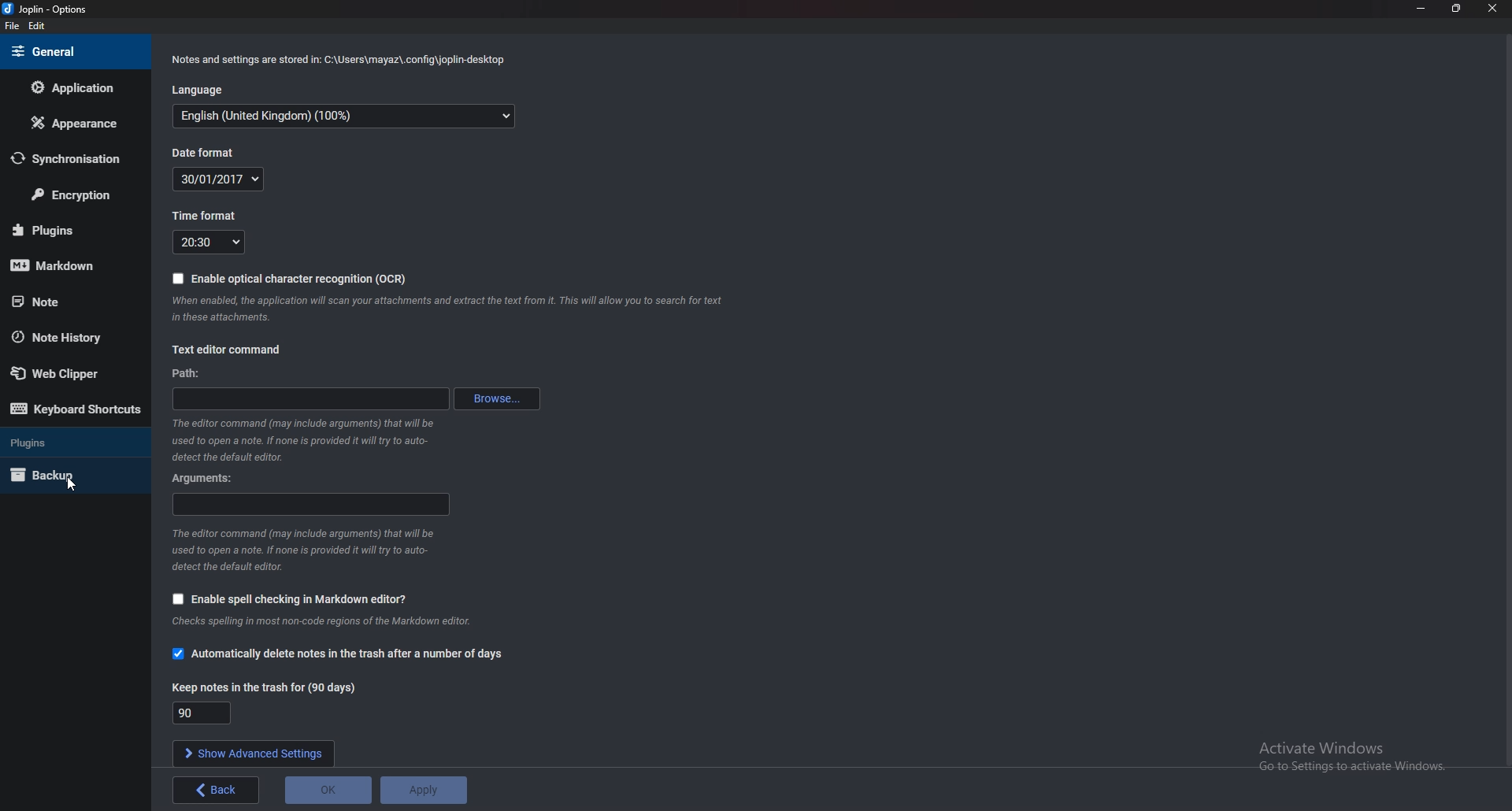 The height and width of the screenshot is (811, 1512). What do you see at coordinates (494, 399) in the screenshot?
I see `Browse` at bounding box center [494, 399].